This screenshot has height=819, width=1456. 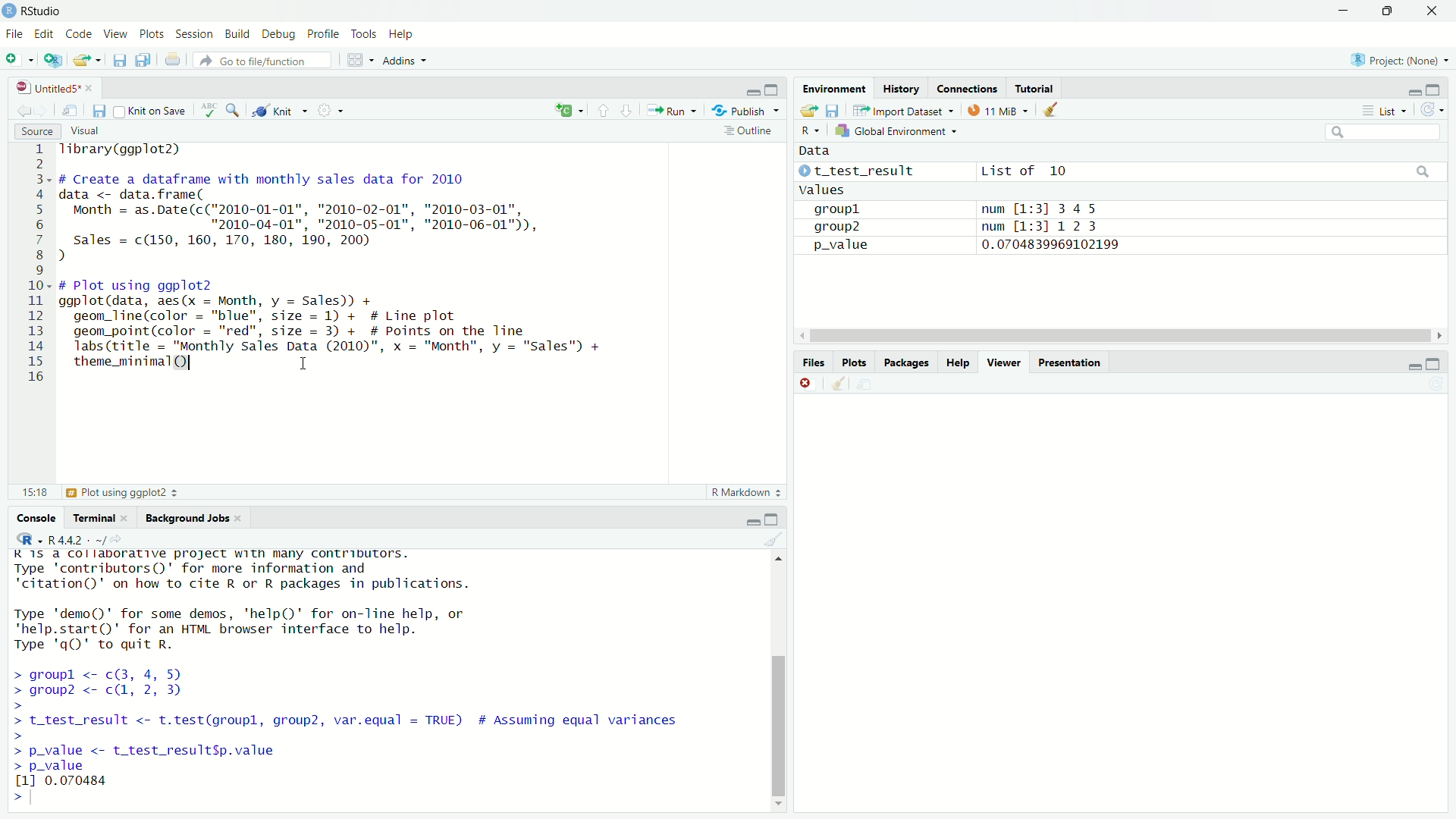 I want to click on library(ggplot2)

# Create a dataframe with monthly sales data for 2010

data <- data.frame(
Month = as.Date(c("2010-01-01", "2010-02-01", "2010-03-01",

"2010-04-01", "2010-05-01", "2010-06-01")),

sales = c(150, 160, 170, 180, 190, 200)

)

# Plot using ggplot2

ggplot(data, aes(x = Month, y = Sales)) +
geom_line(color = "blue", size = 1) + # Line plot
geom_point(color = "red", size = 3) + # Points on the Tine
Tabs (title = "Monthly Sales Data (2010)", x = "Month", y = "Sales") +
theme_minimal(Q) 1, so click(x=418, y=265).